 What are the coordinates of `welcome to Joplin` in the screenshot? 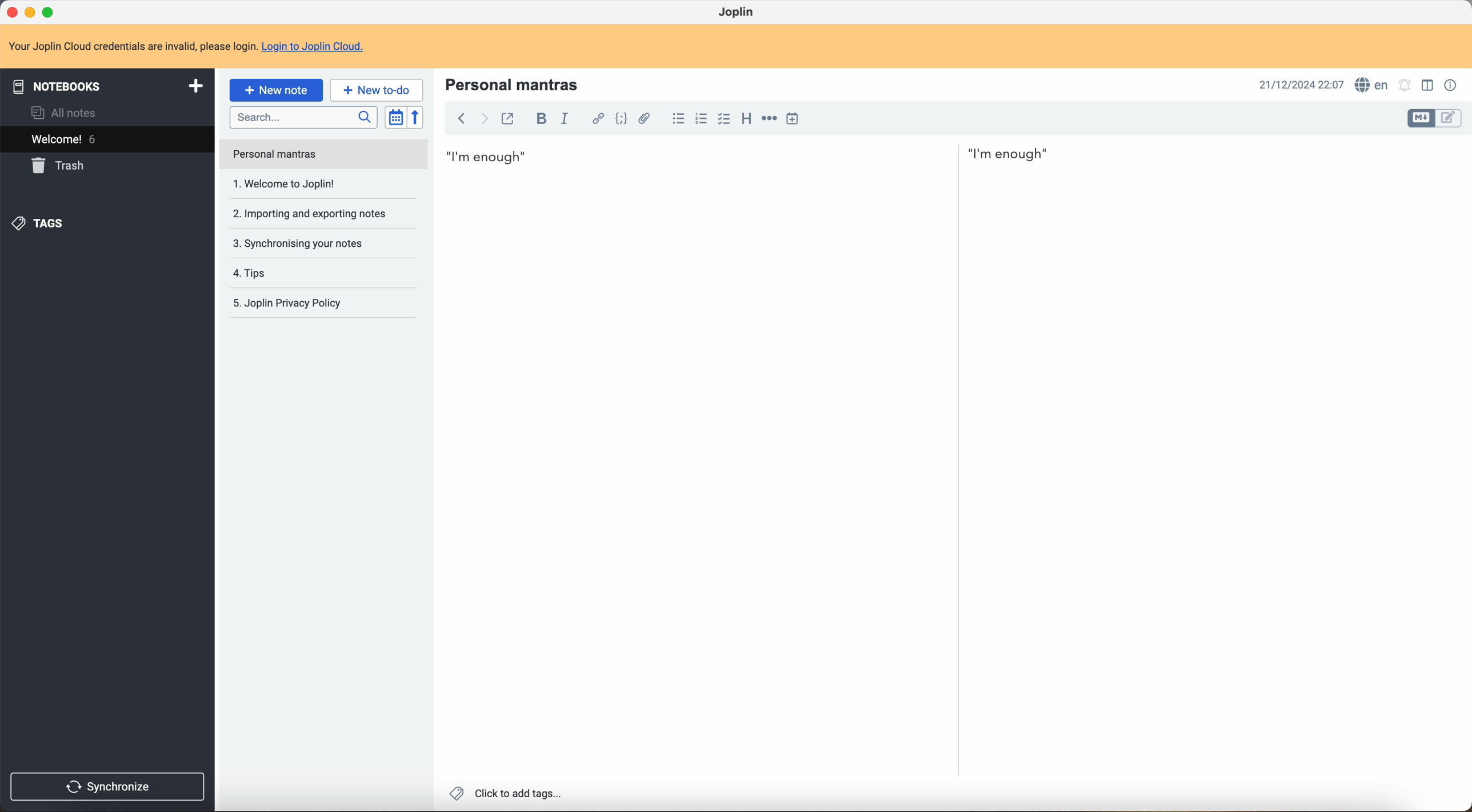 It's located at (287, 155).